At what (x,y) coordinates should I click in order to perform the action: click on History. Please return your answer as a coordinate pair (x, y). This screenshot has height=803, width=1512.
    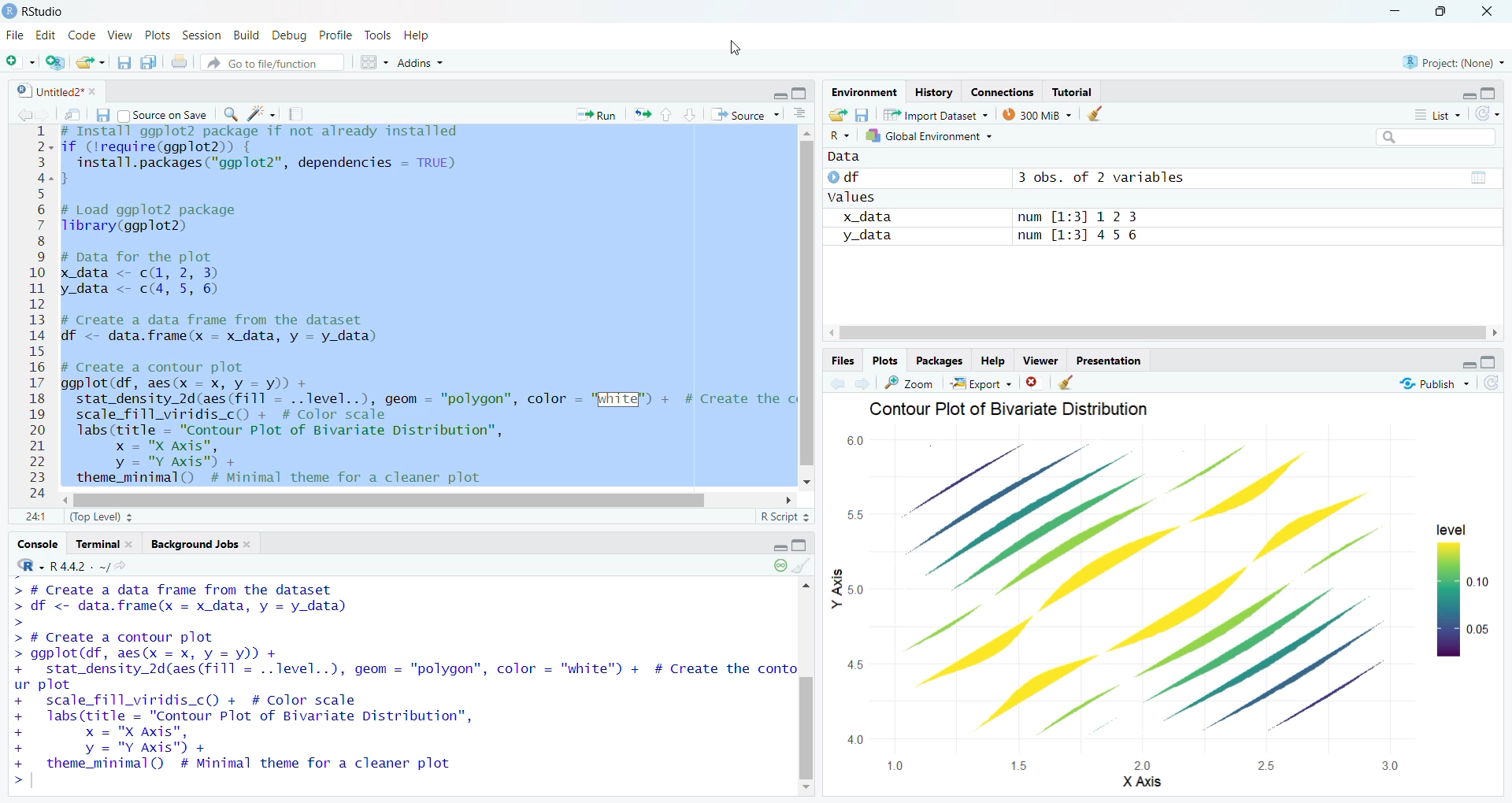
    Looking at the image, I should click on (934, 91).